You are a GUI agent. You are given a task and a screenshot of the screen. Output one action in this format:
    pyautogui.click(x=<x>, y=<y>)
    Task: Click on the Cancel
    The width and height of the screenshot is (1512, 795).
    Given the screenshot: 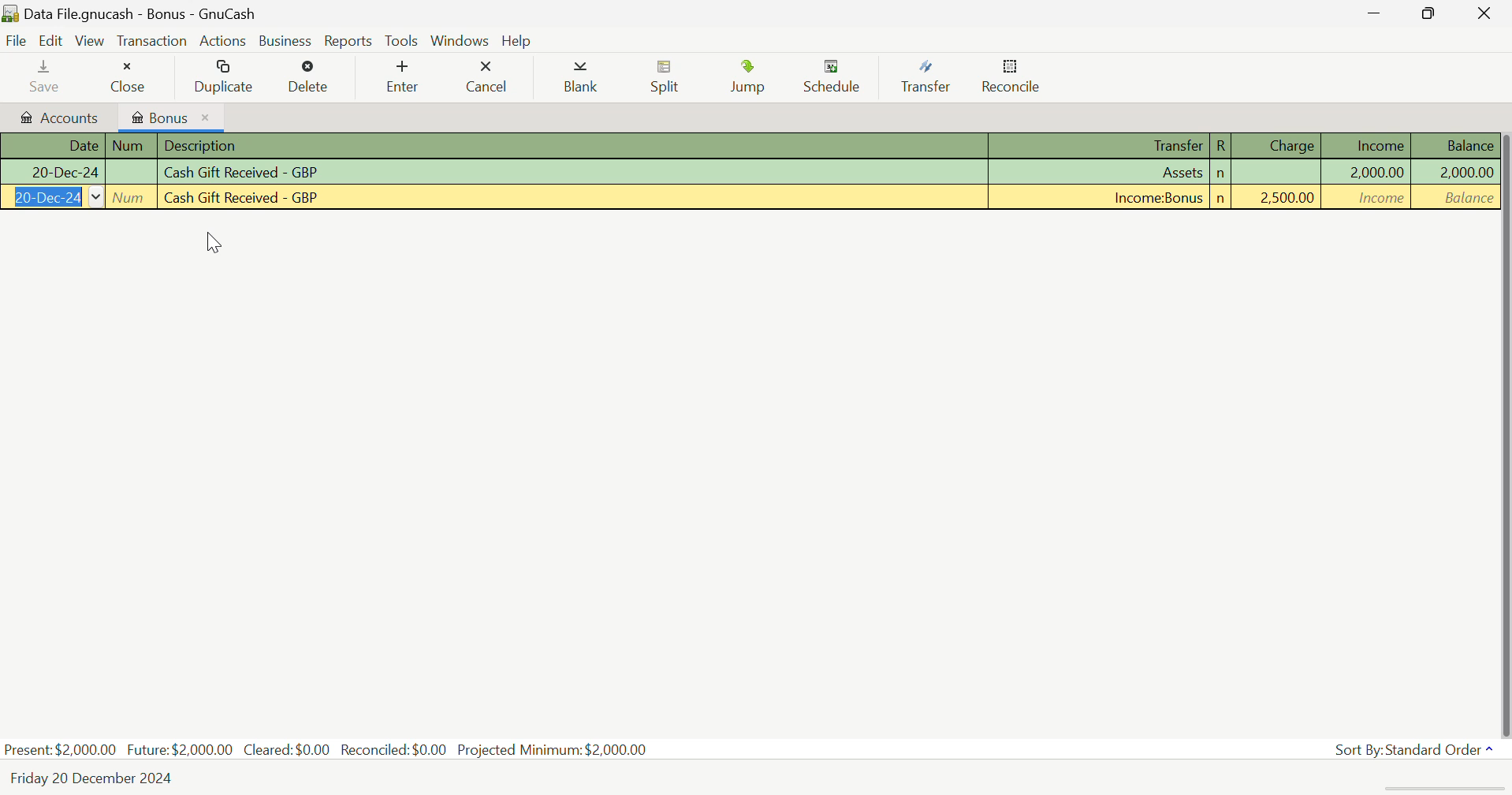 What is the action you would take?
    pyautogui.click(x=486, y=74)
    